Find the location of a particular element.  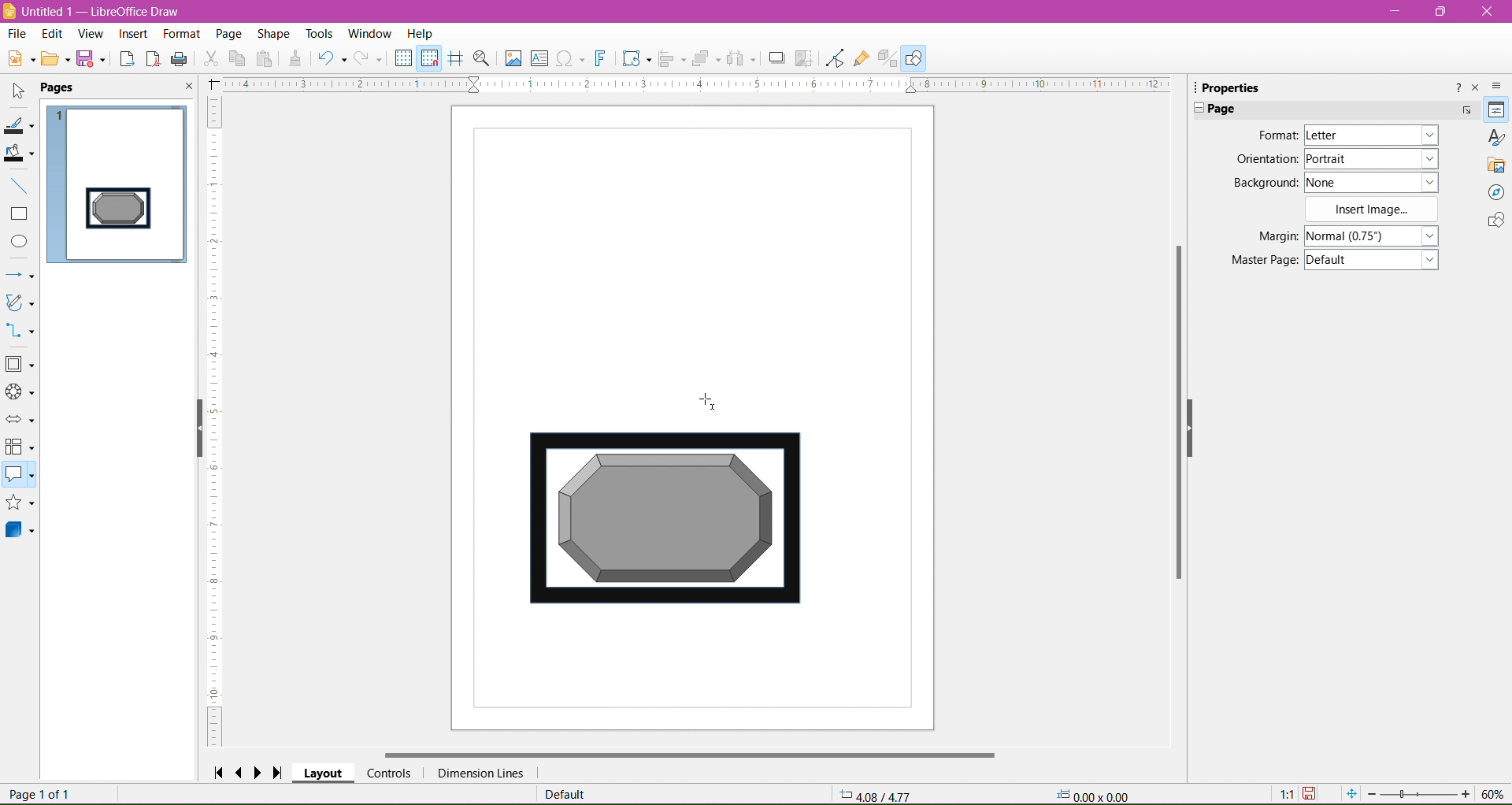

Insert is located at coordinates (132, 34).